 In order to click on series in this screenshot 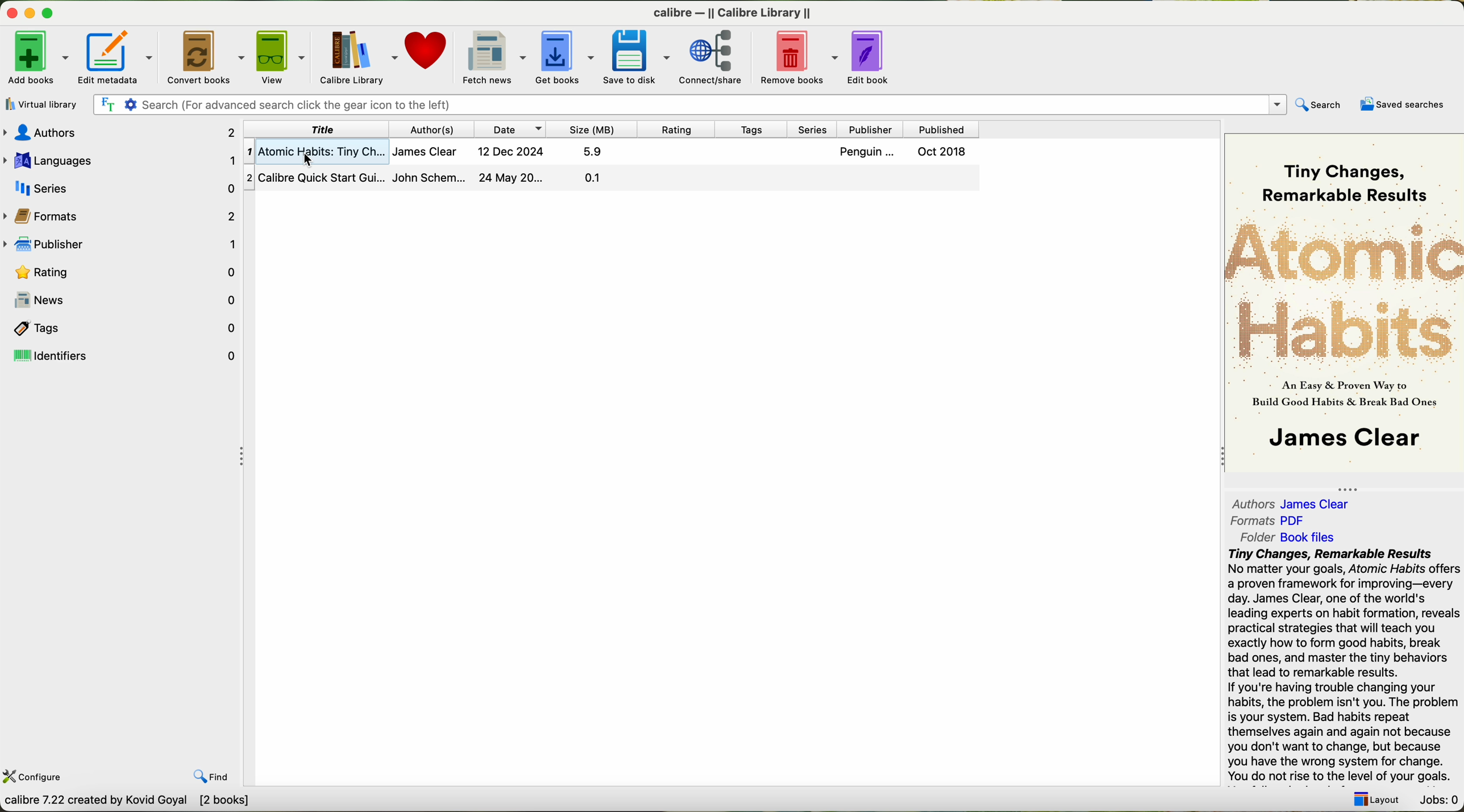, I will do `click(119, 187)`.